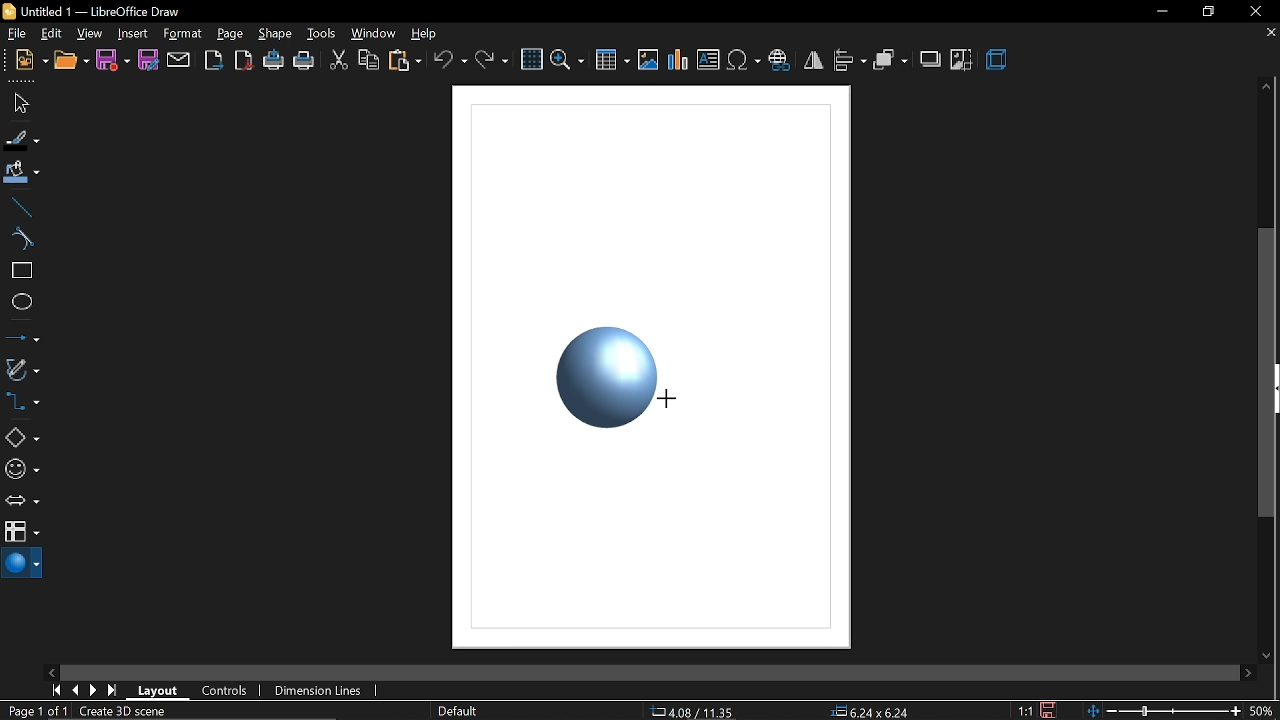 This screenshot has width=1280, height=720. What do you see at coordinates (678, 60) in the screenshot?
I see `insert chart` at bounding box center [678, 60].